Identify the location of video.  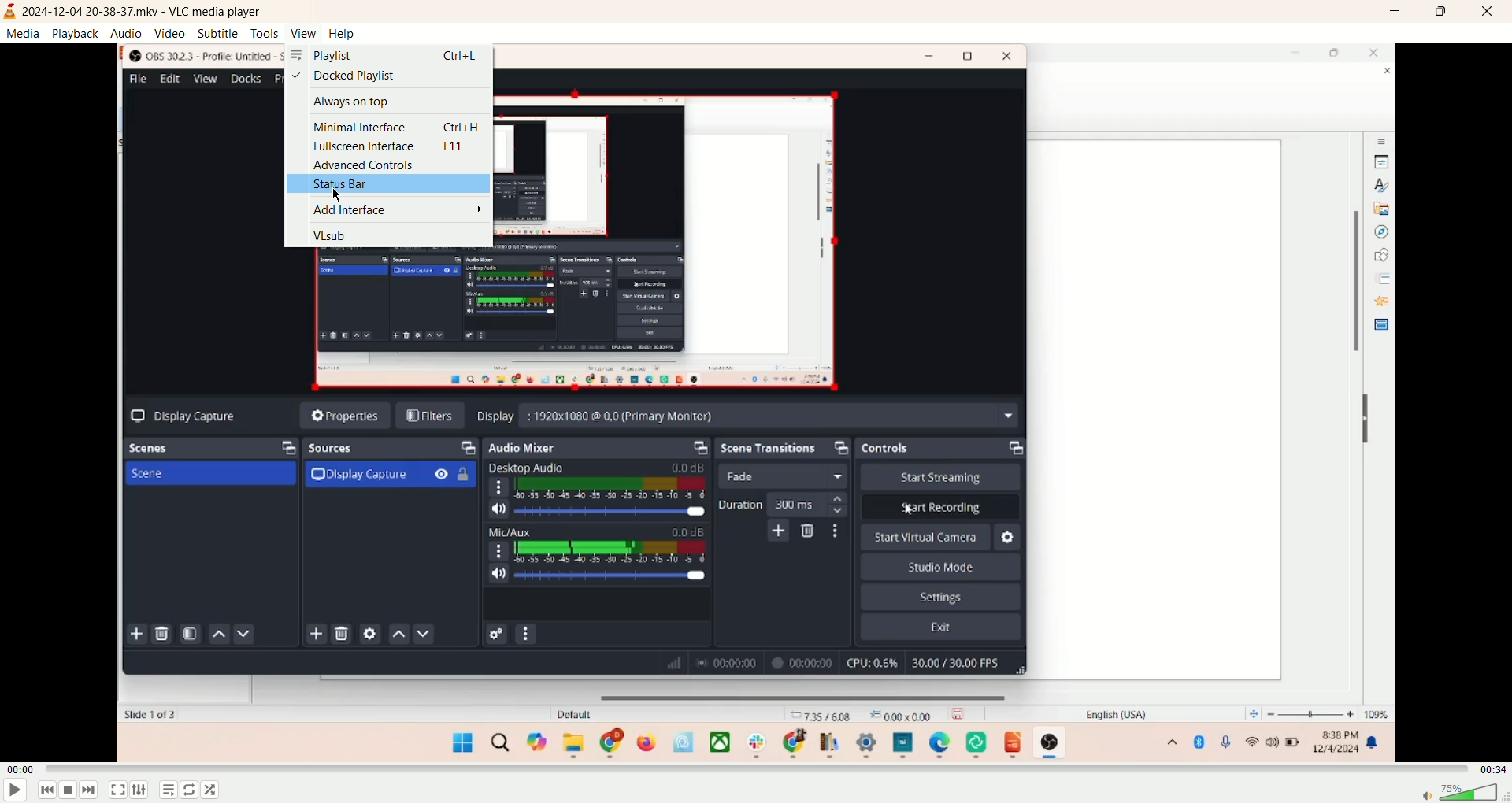
(171, 34).